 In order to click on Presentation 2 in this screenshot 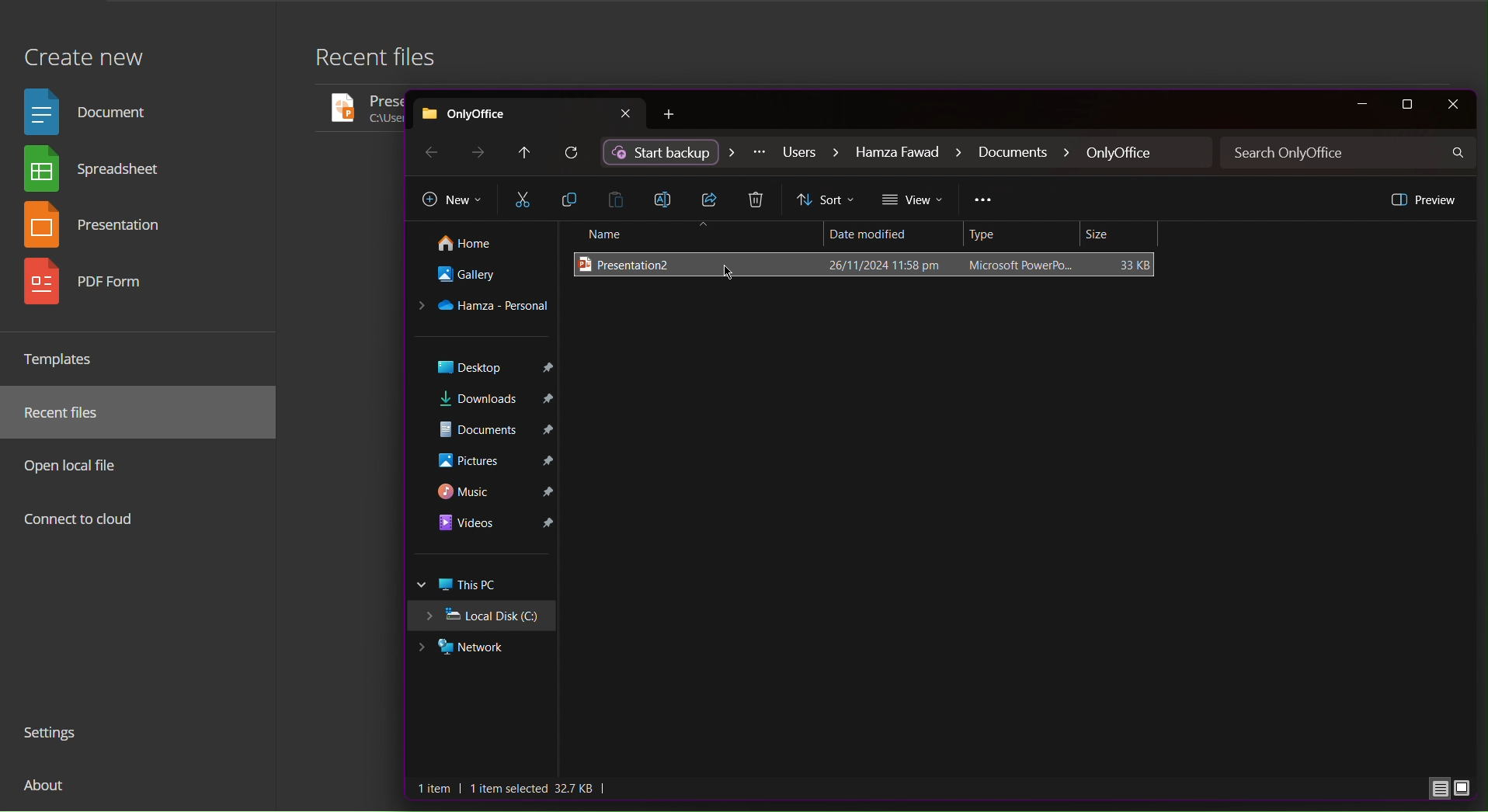, I will do `click(870, 265)`.